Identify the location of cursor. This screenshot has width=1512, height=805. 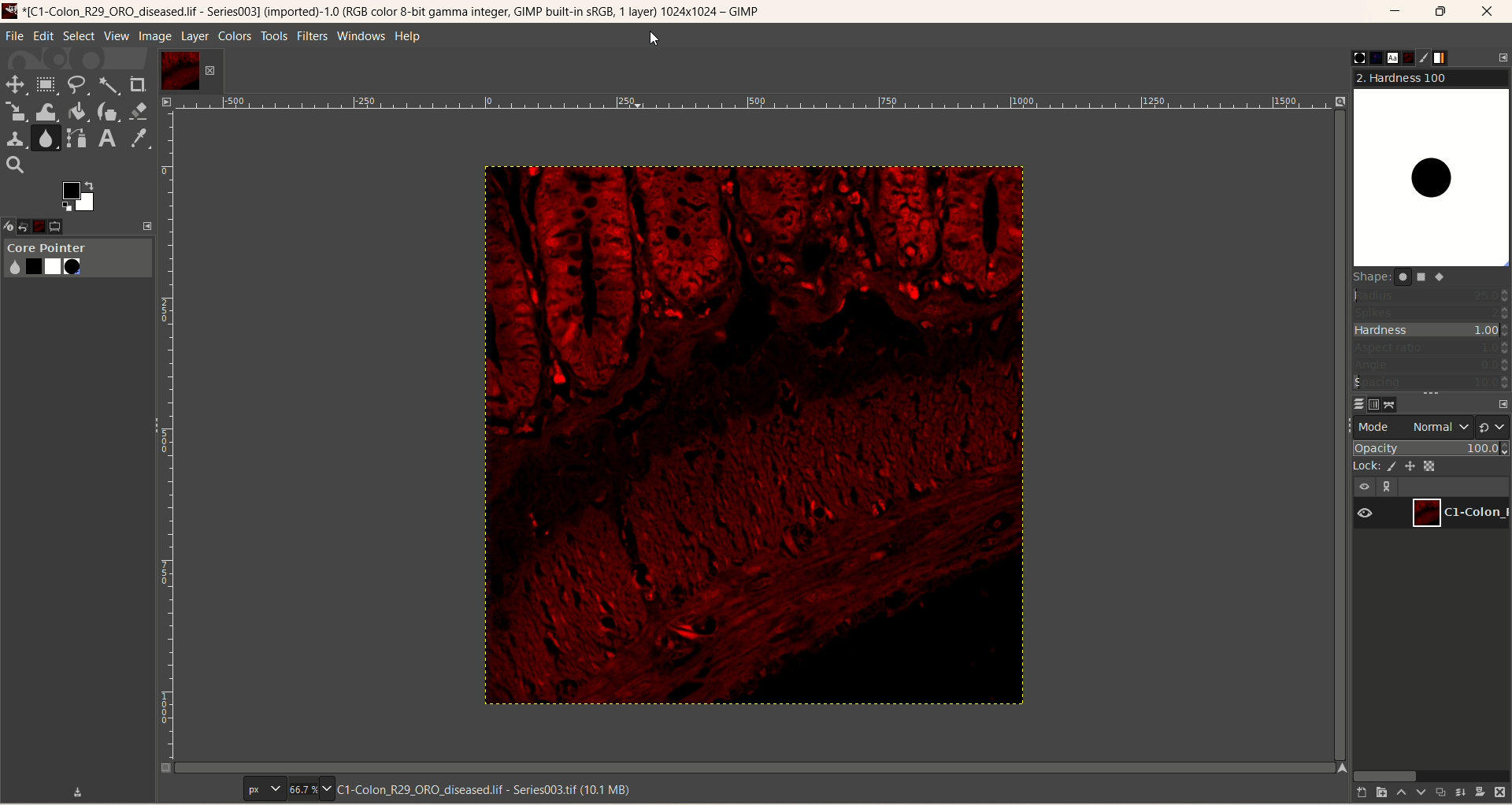
(654, 39).